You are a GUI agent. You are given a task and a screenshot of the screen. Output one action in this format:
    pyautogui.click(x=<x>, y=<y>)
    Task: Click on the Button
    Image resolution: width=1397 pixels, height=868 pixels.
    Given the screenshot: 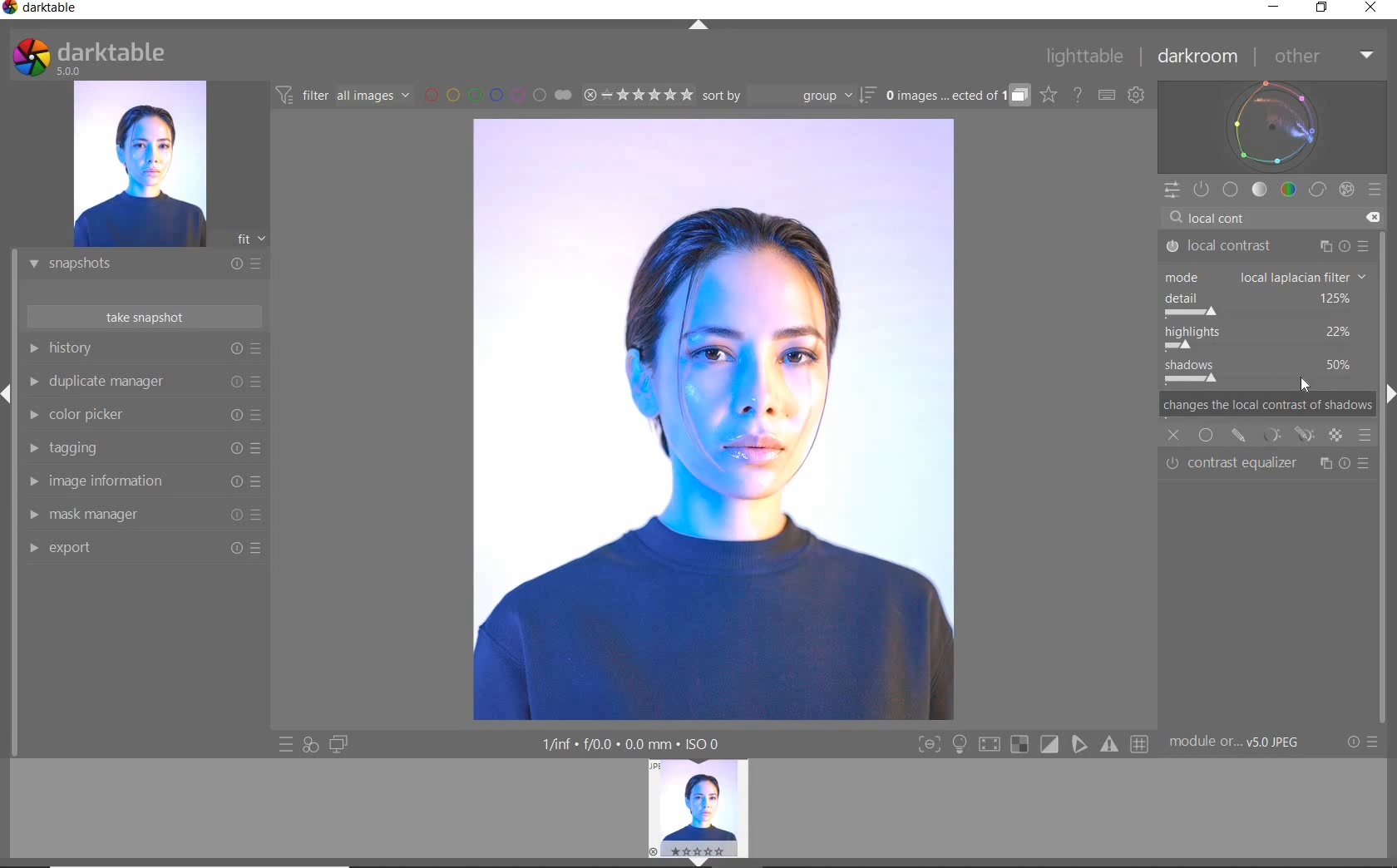 What is the action you would take?
    pyautogui.click(x=929, y=746)
    